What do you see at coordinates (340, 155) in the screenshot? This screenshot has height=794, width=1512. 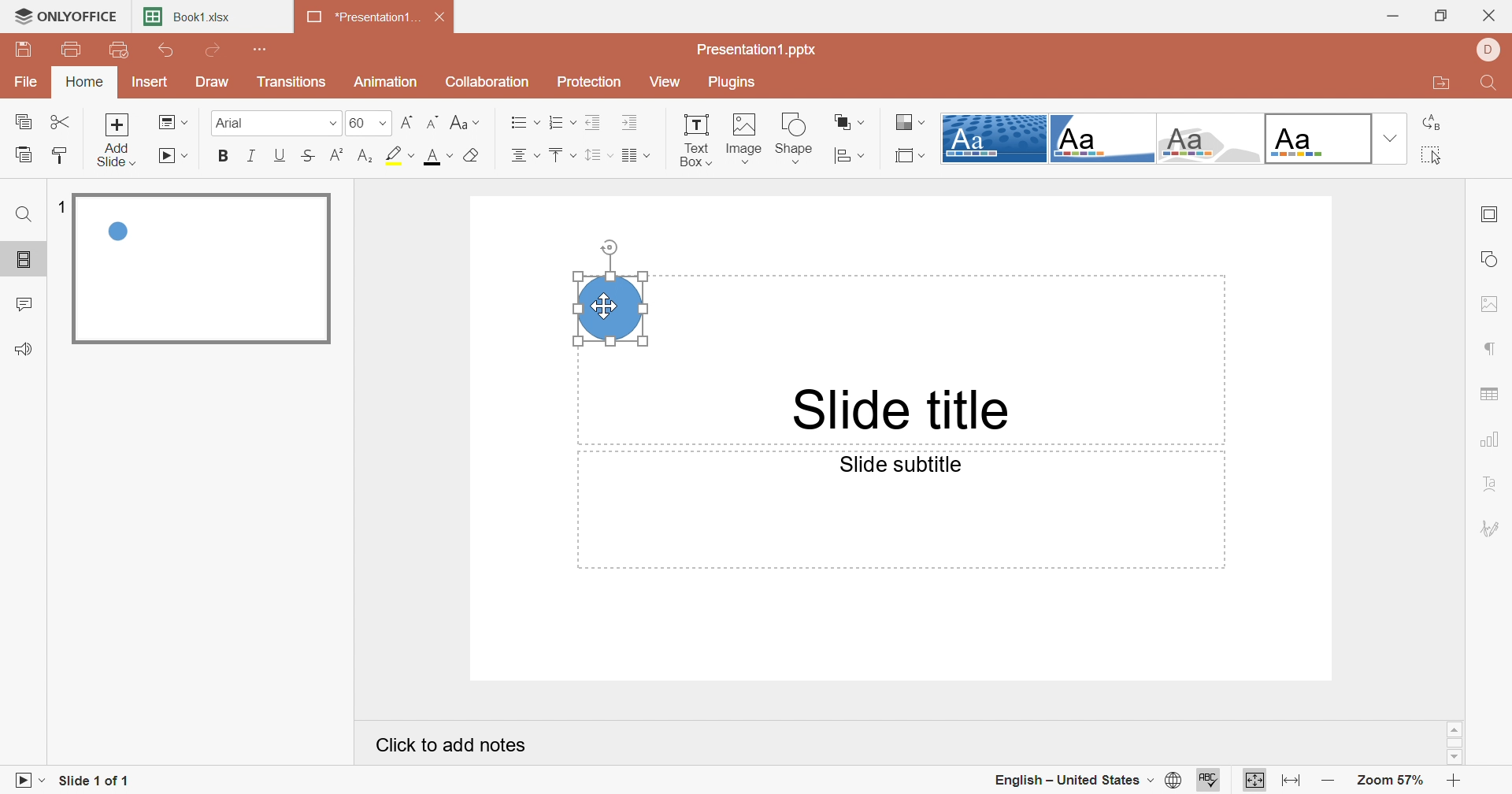 I see `Superscript` at bounding box center [340, 155].